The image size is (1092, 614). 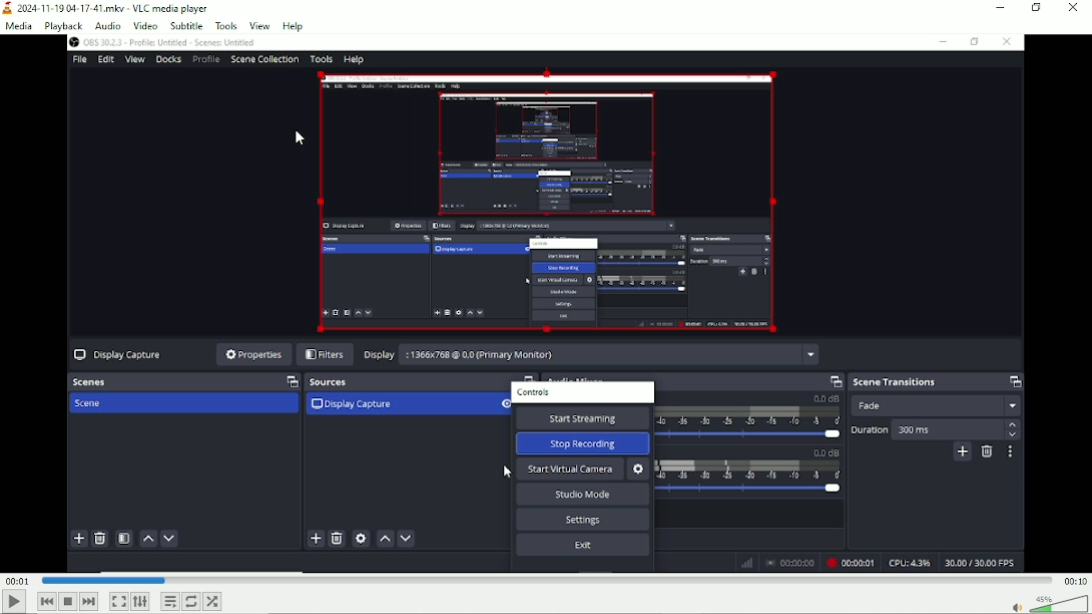 What do you see at coordinates (107, 9) in the screenshot?
I see `title` at bounding box center [107, 9].